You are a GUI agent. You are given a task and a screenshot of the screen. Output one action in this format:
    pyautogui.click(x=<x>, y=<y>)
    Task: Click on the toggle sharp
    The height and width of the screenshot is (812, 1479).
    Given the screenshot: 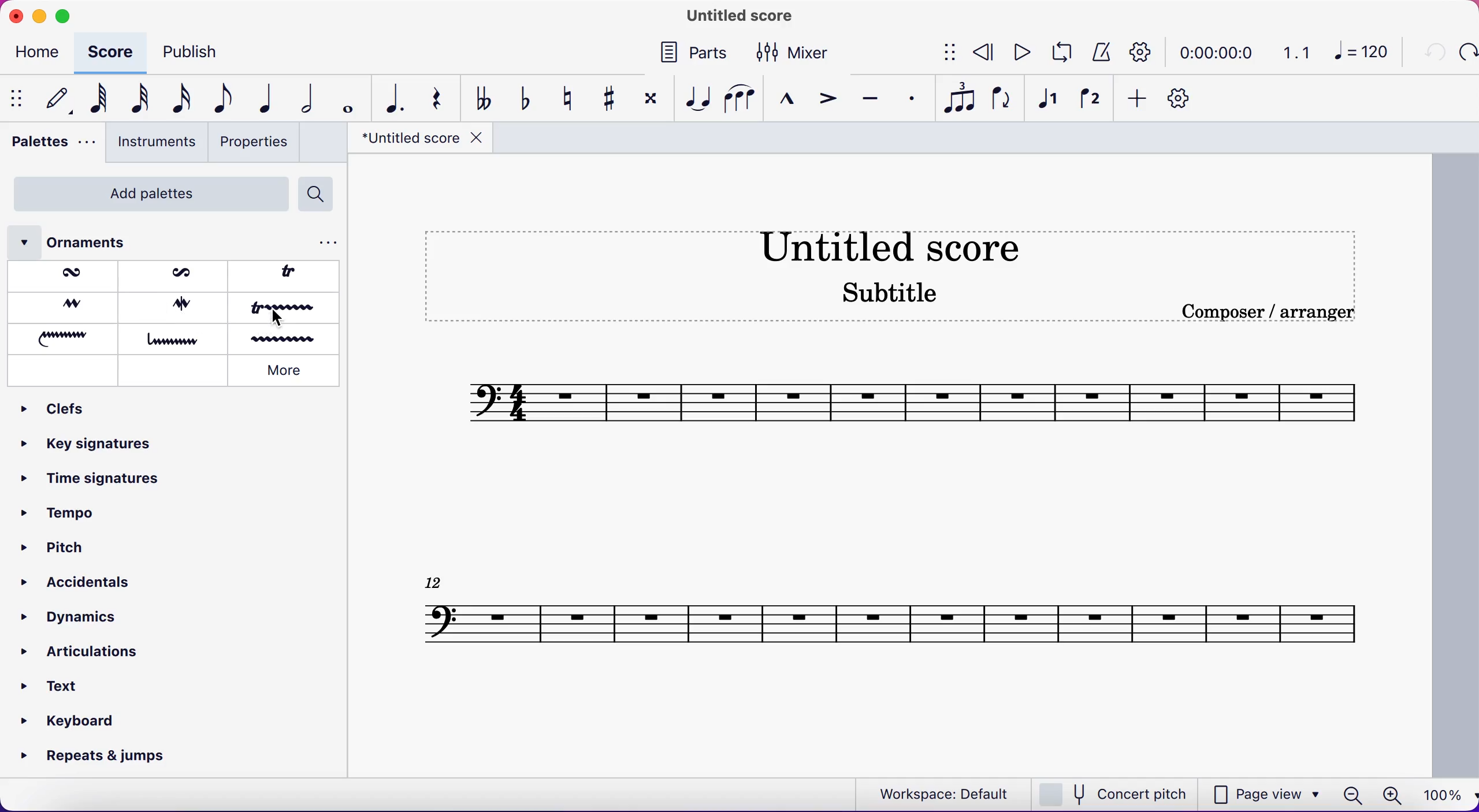 What is the action you would take?
    pyautogui.click(x=607, y=97)
    